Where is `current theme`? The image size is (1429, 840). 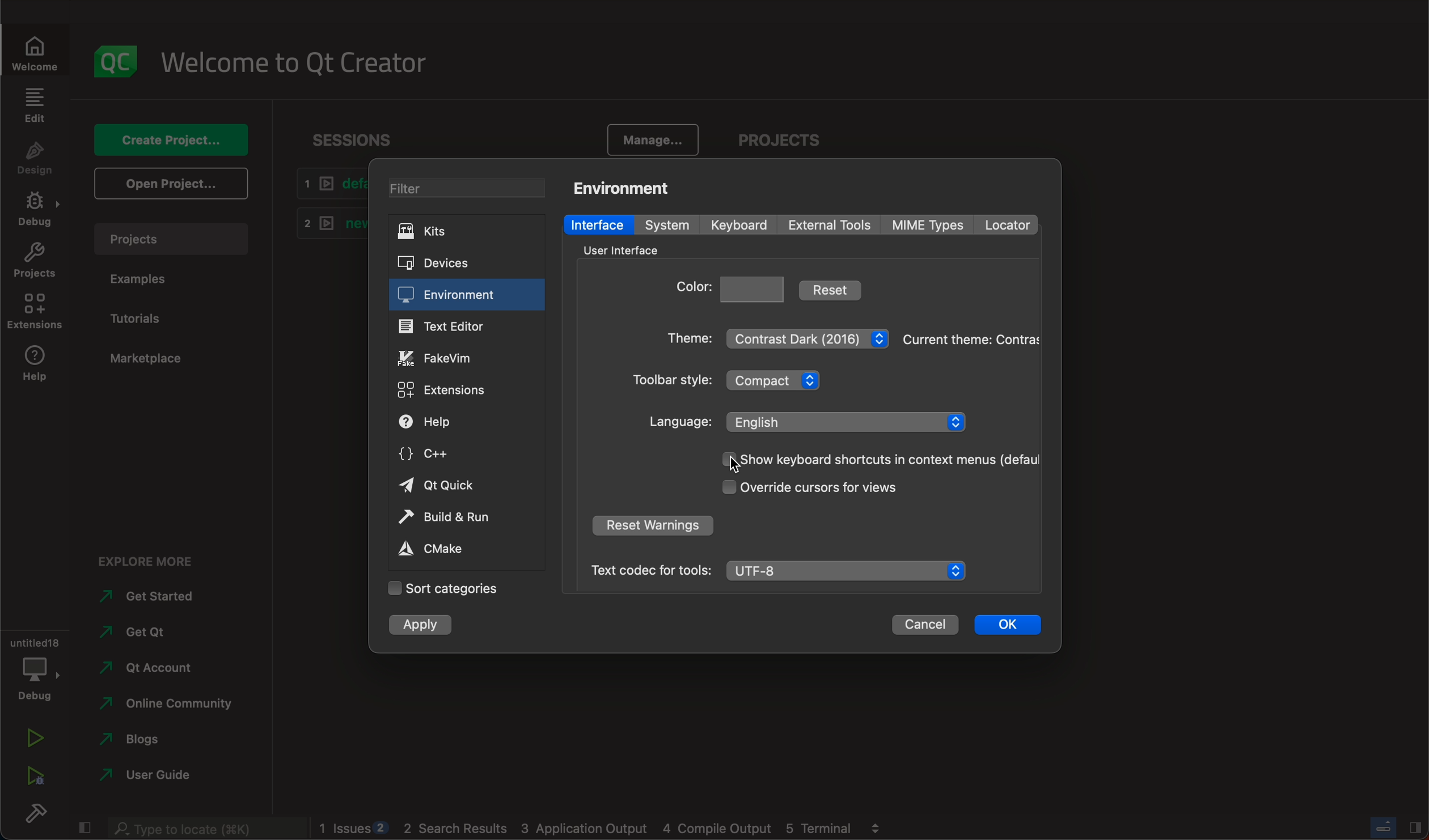 current theme is located at coordinates (971, 336).